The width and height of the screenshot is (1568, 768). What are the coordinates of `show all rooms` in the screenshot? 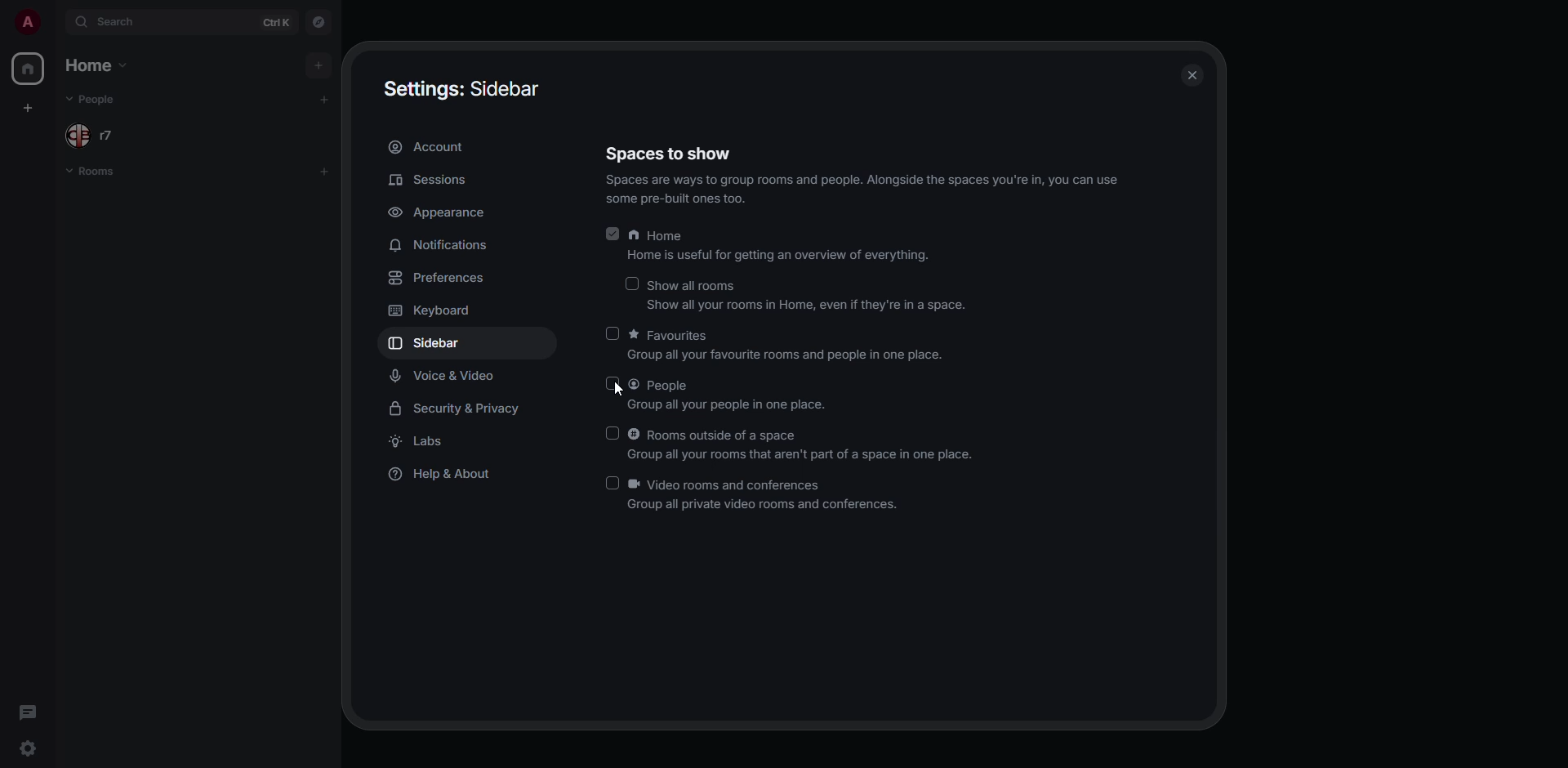 It's located at (818, 293).